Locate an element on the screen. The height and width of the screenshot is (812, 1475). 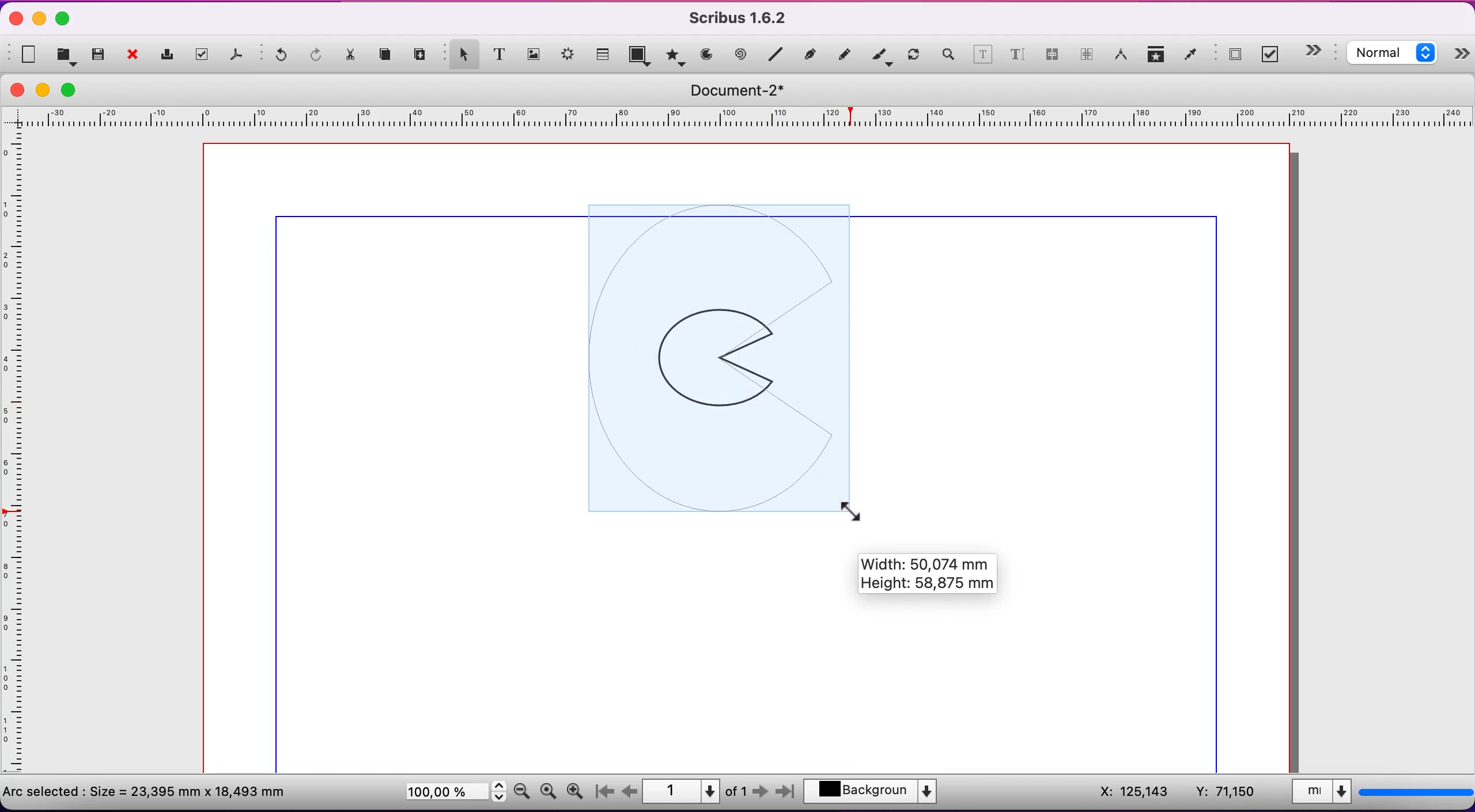
polygon is located at coordinates (674, 55).